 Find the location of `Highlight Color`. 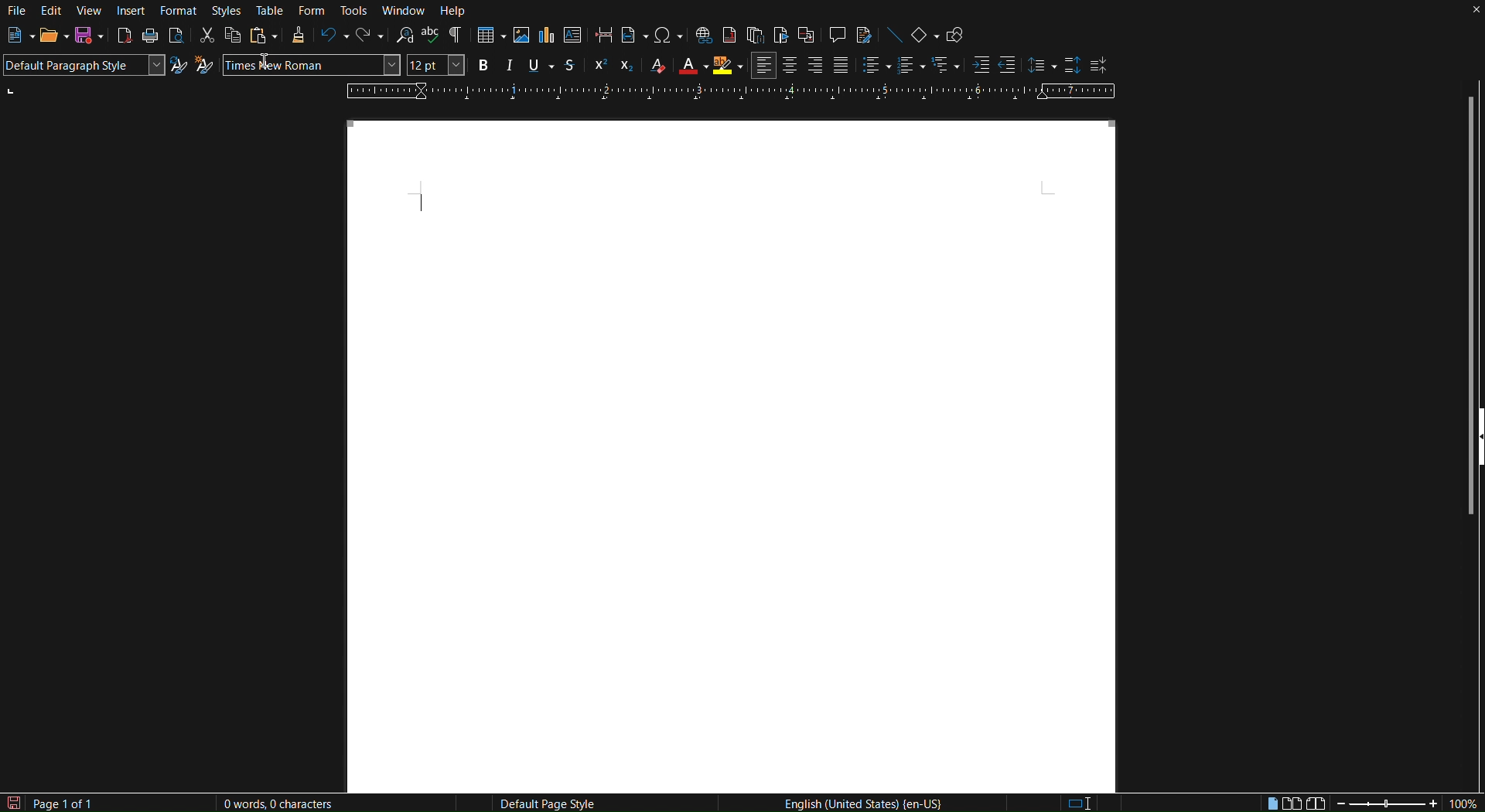

Highlight Color is located at coordinates (727, 67).